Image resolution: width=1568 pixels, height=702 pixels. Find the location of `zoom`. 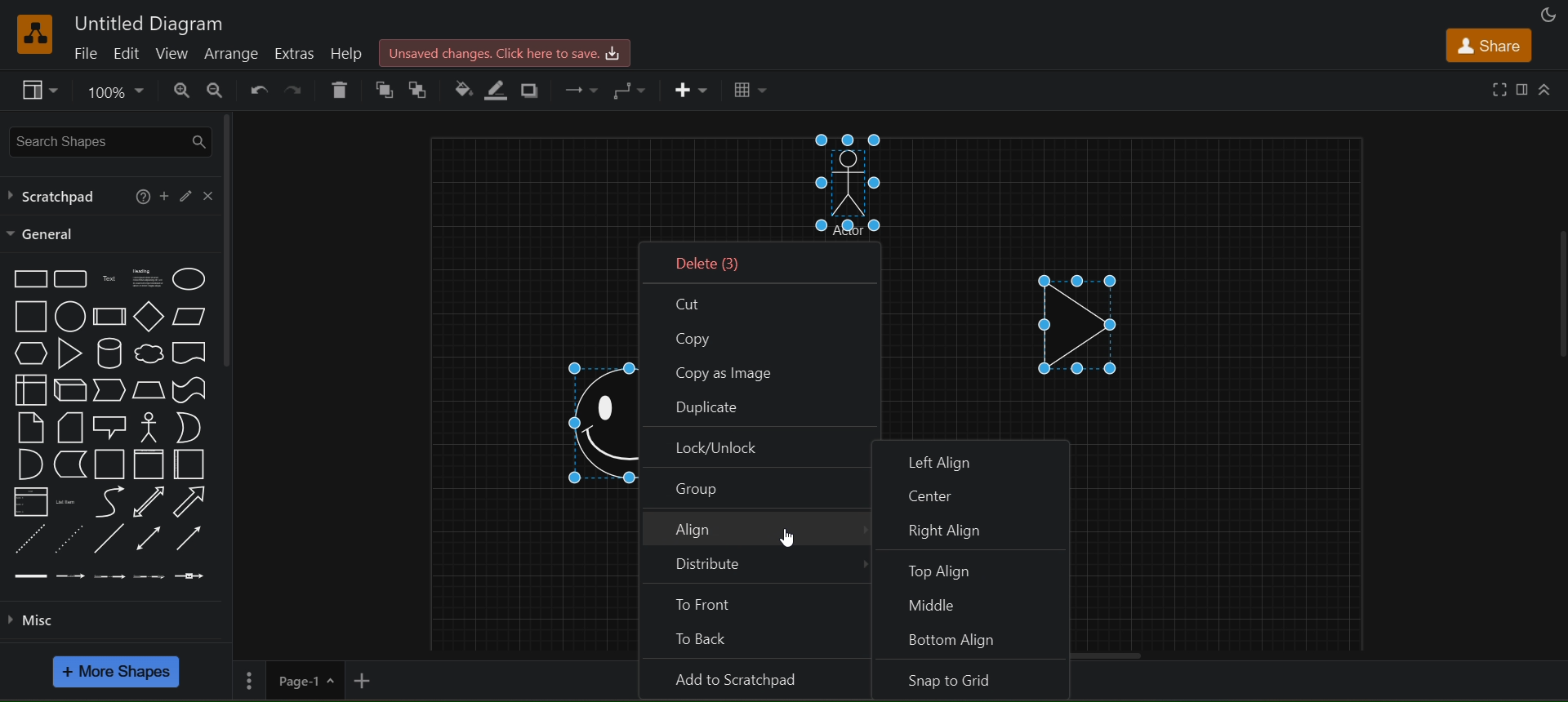

zoom is located at coordinates (111, 91).